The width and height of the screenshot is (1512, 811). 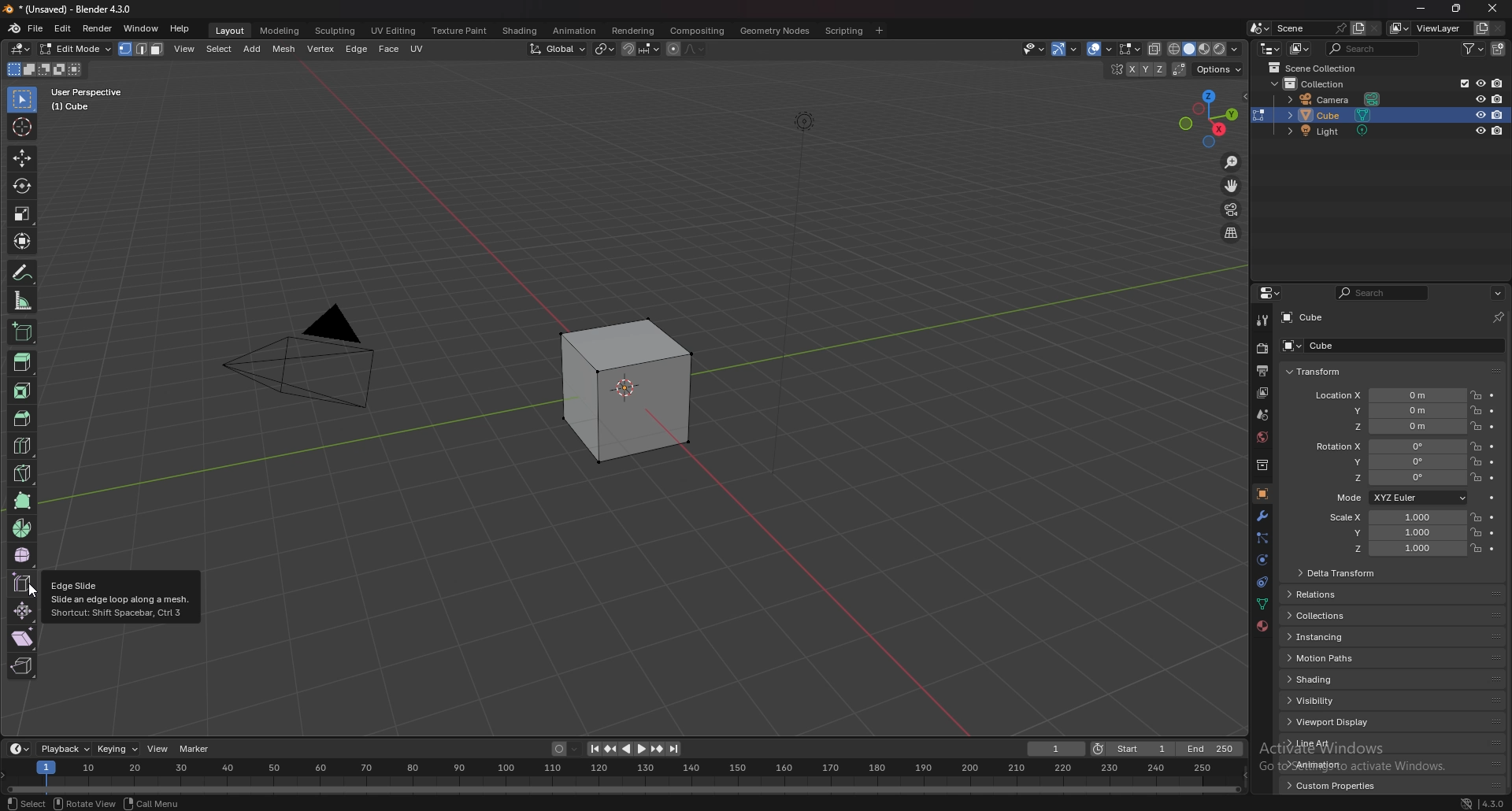 I want to click on animate property, so click(x=1492, y=412).